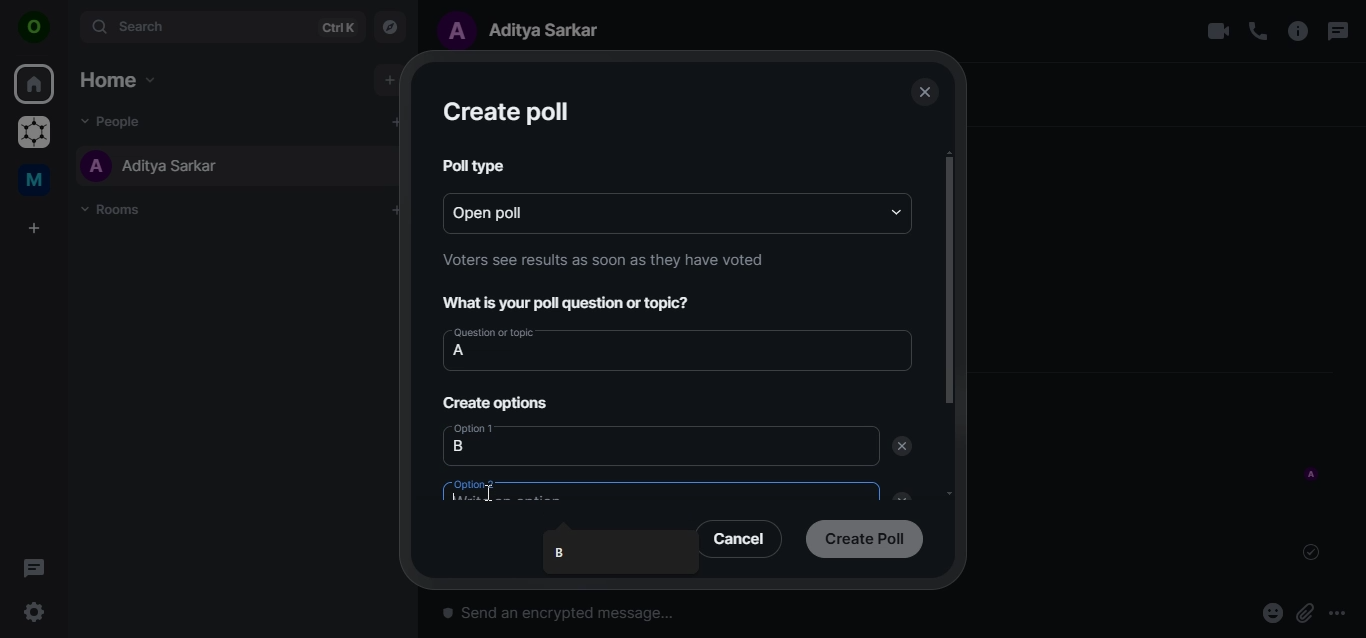 This screenshot has width=1366, height=638. What do you see at coordinates (37, 229) in the screenshot?
I see `create a space` at bounding box center [37, 229].